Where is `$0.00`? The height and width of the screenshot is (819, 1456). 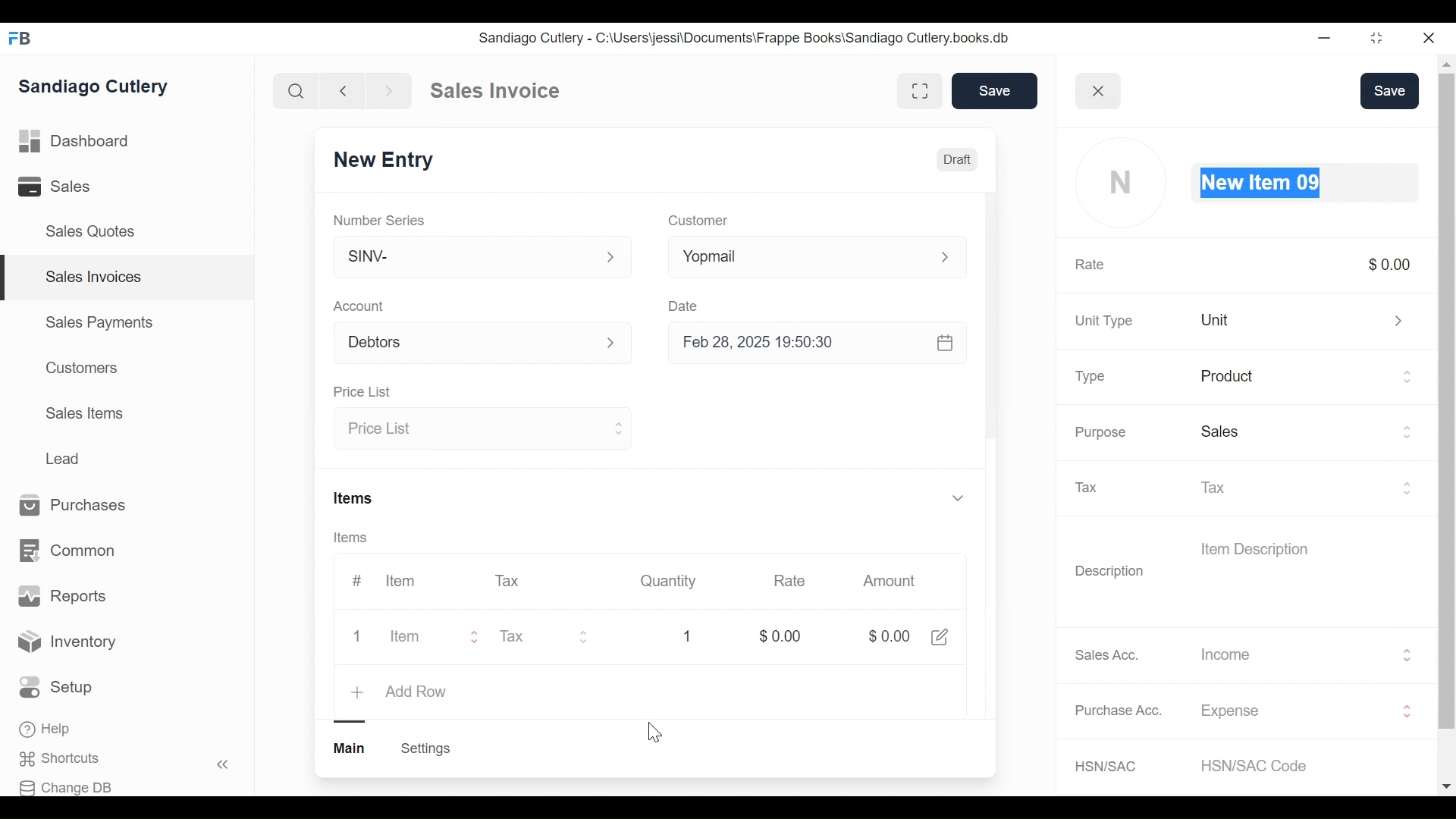
$0.00 is located at coordinates (1389, 264).